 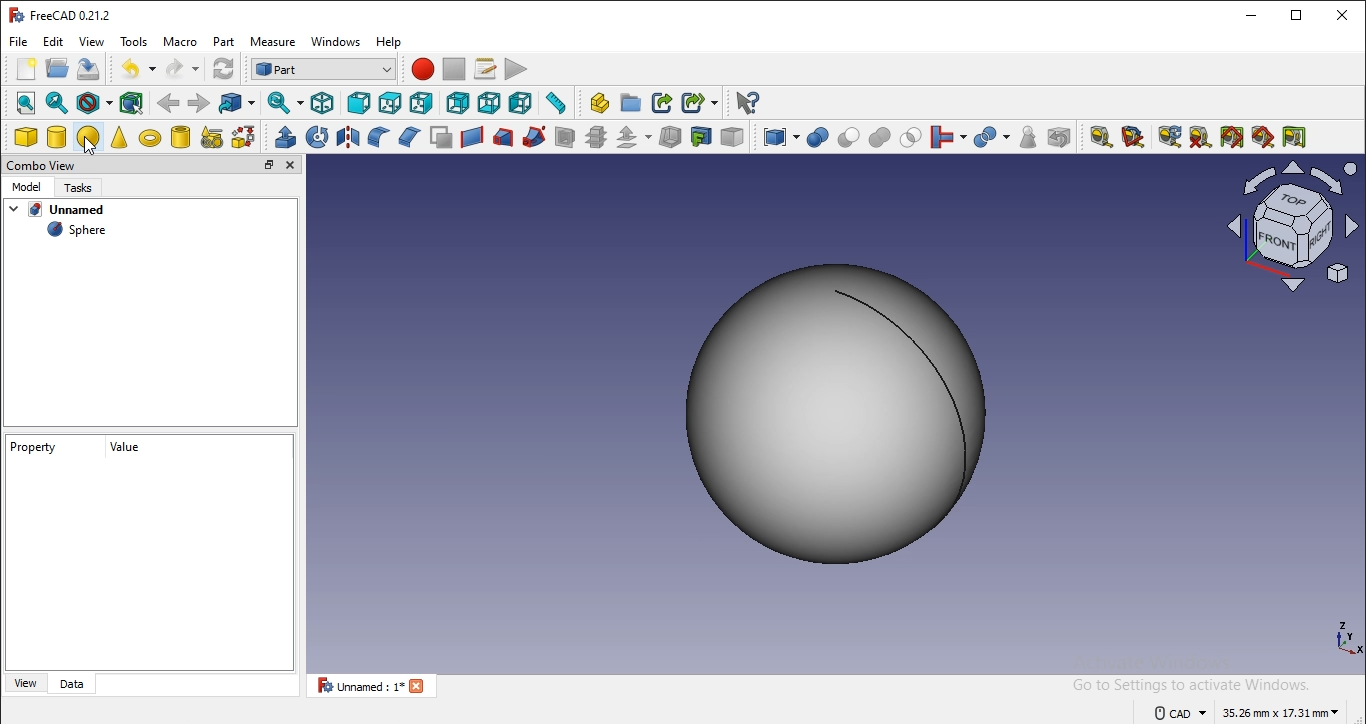 What do you see at coordinates (359, 103) in the screenshot?
I see `front` at bounding box center [359, 103].